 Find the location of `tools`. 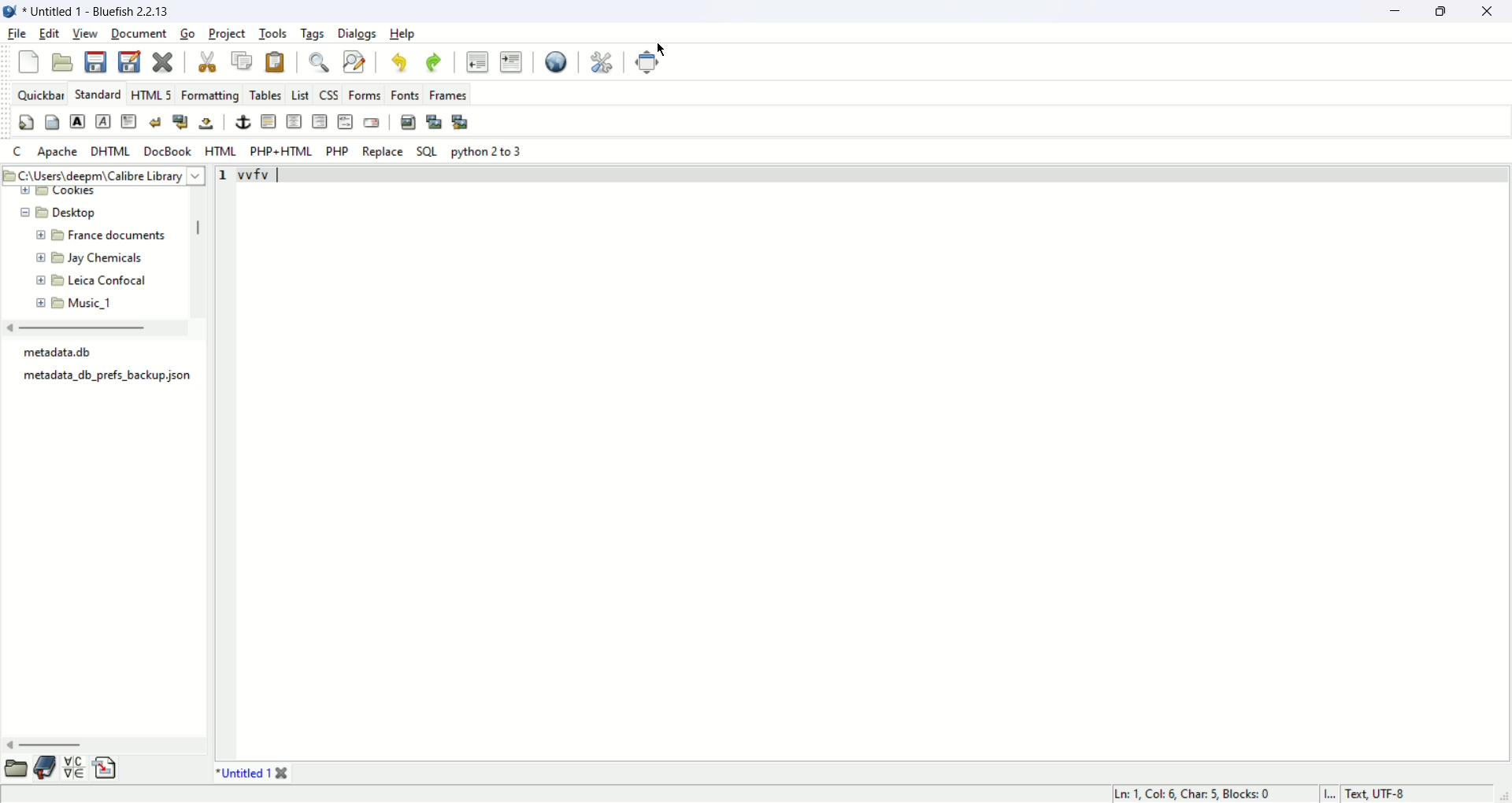

tools is located at coordinates (276, 32).